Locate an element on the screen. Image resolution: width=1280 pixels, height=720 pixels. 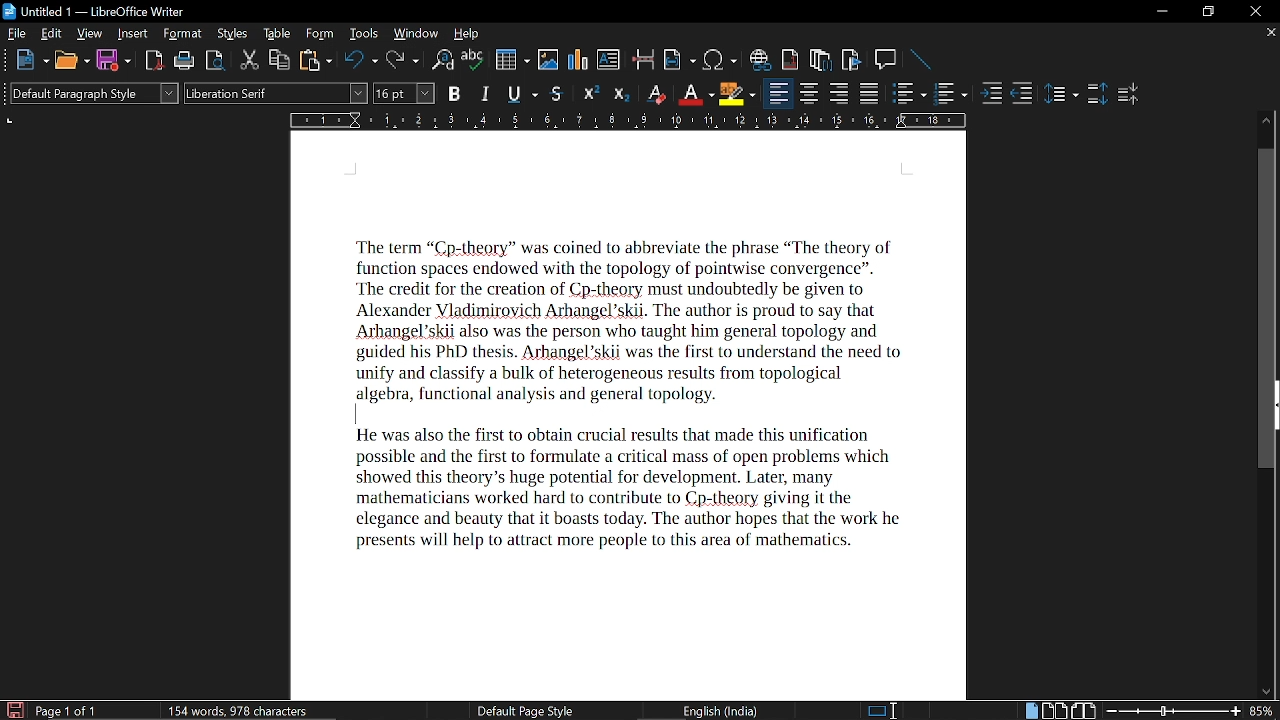
Justified is located at coordinates (871, 93).